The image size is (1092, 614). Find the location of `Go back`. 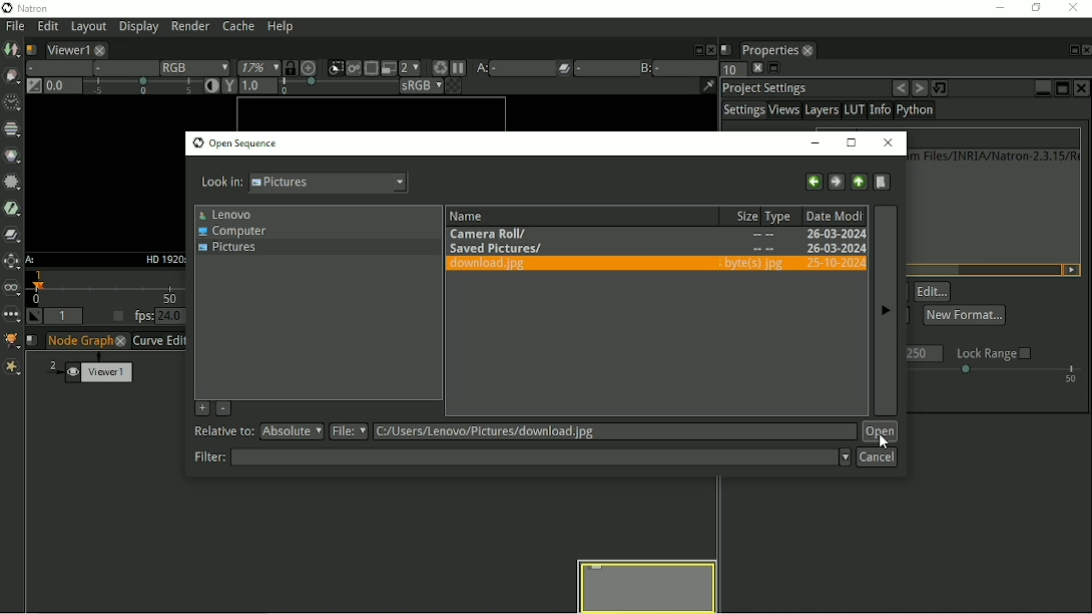

Go back is located at coordinates (813, 180).